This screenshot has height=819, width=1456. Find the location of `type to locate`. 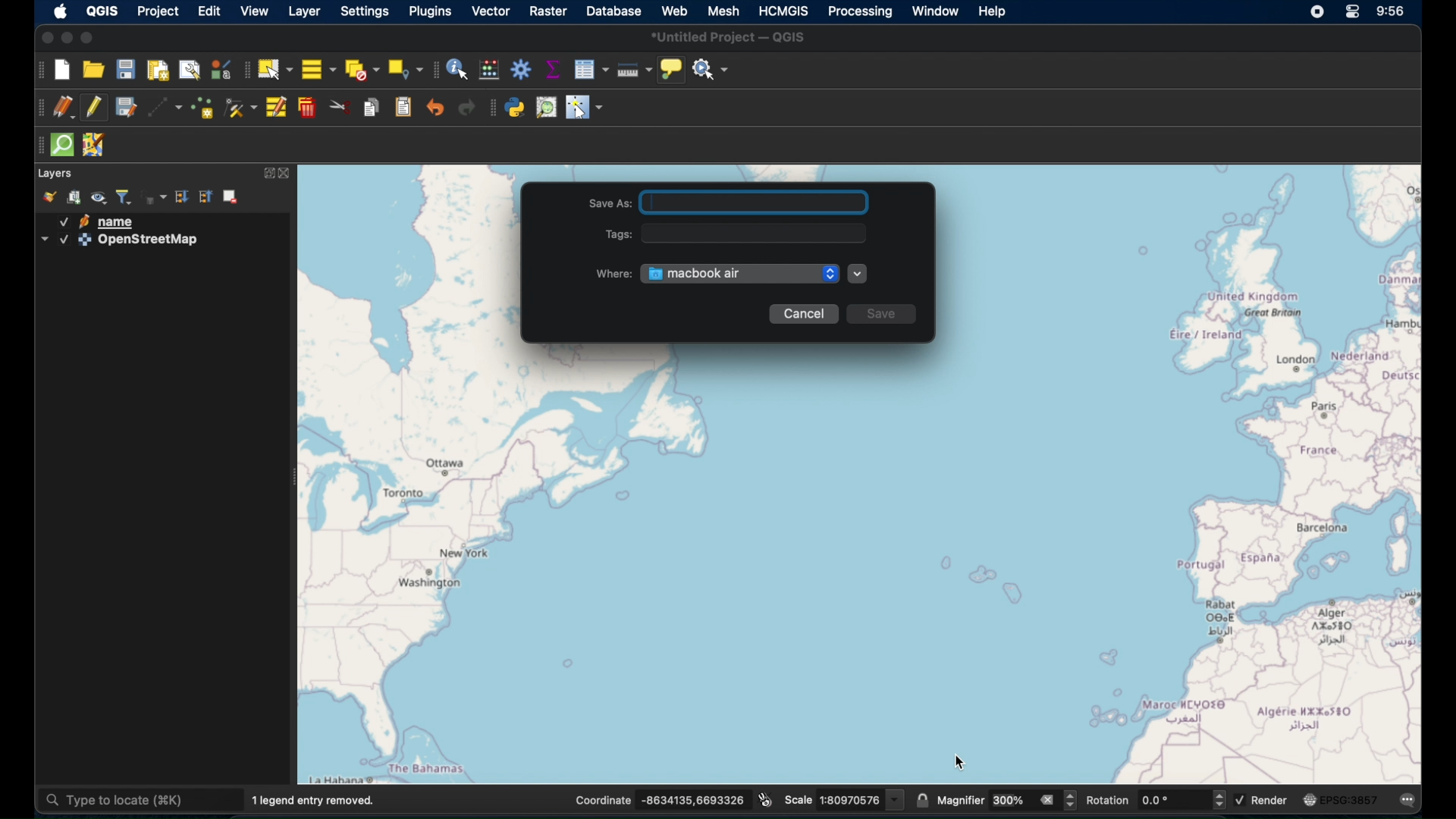

type to locate is located at coordinates (139, 799).